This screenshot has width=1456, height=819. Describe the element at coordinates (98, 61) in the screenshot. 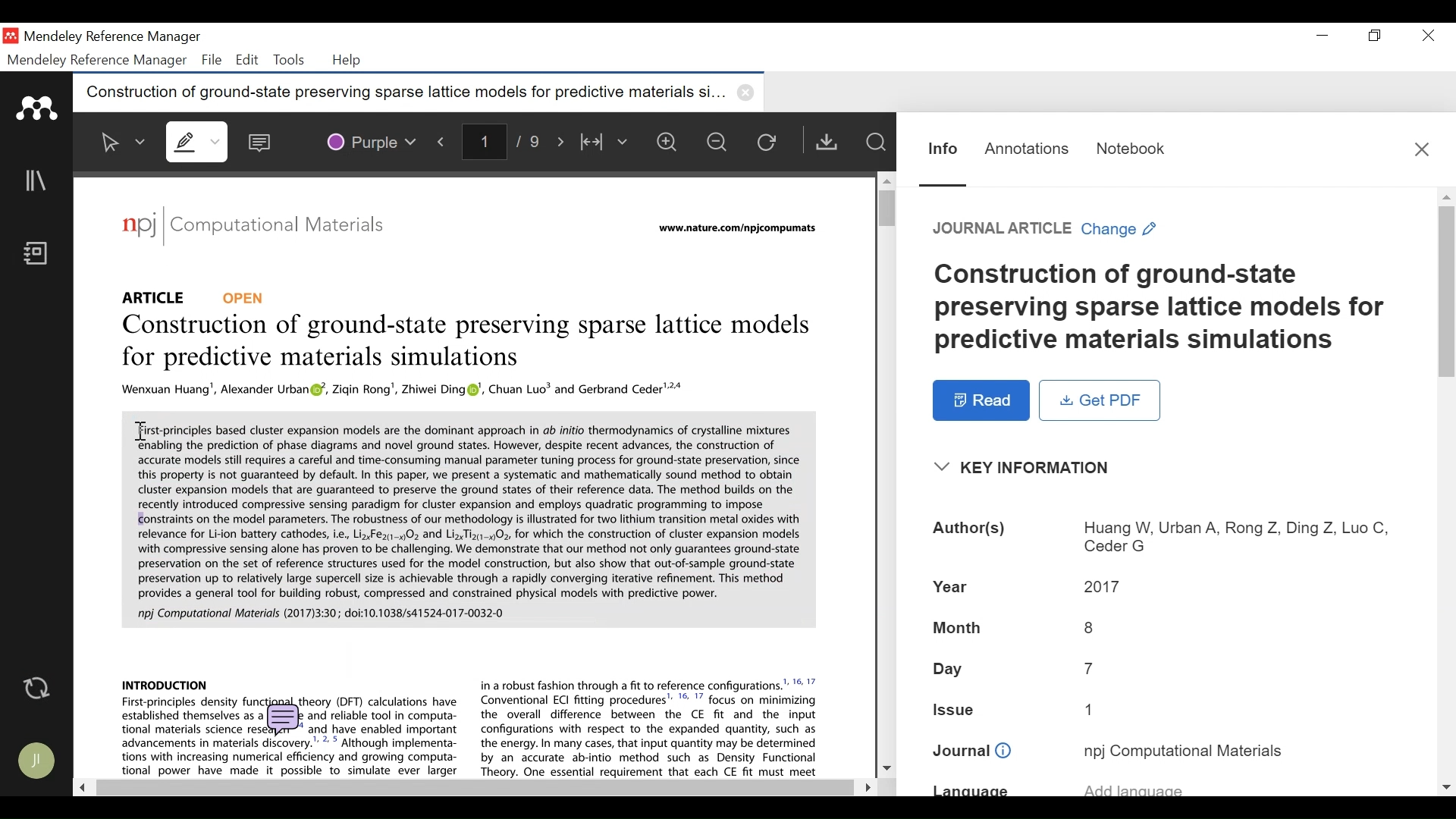

I see `Mendeley Reference Manager` at that location.